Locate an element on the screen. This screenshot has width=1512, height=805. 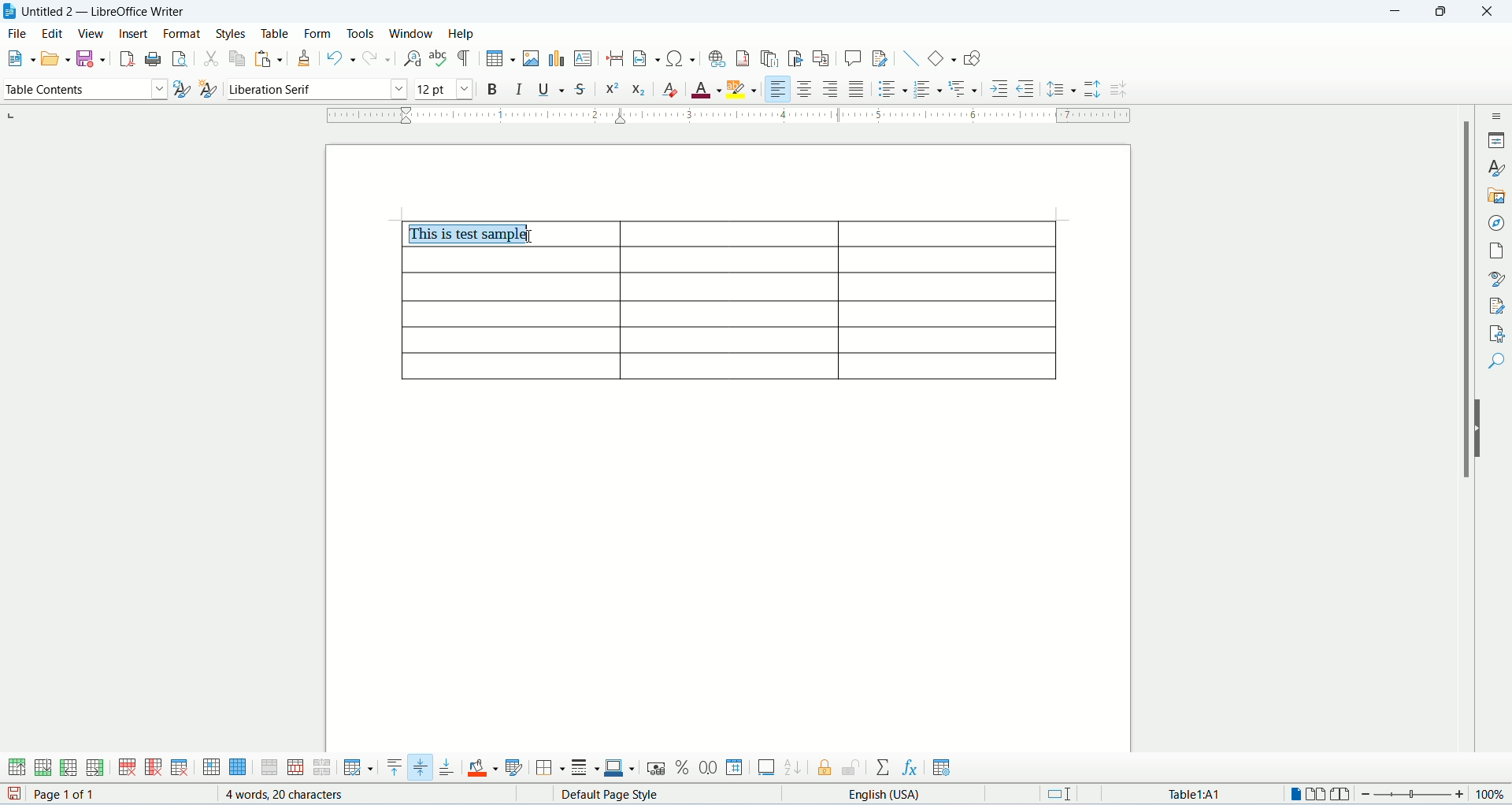
insert chart is located at coordinates (558, 58).